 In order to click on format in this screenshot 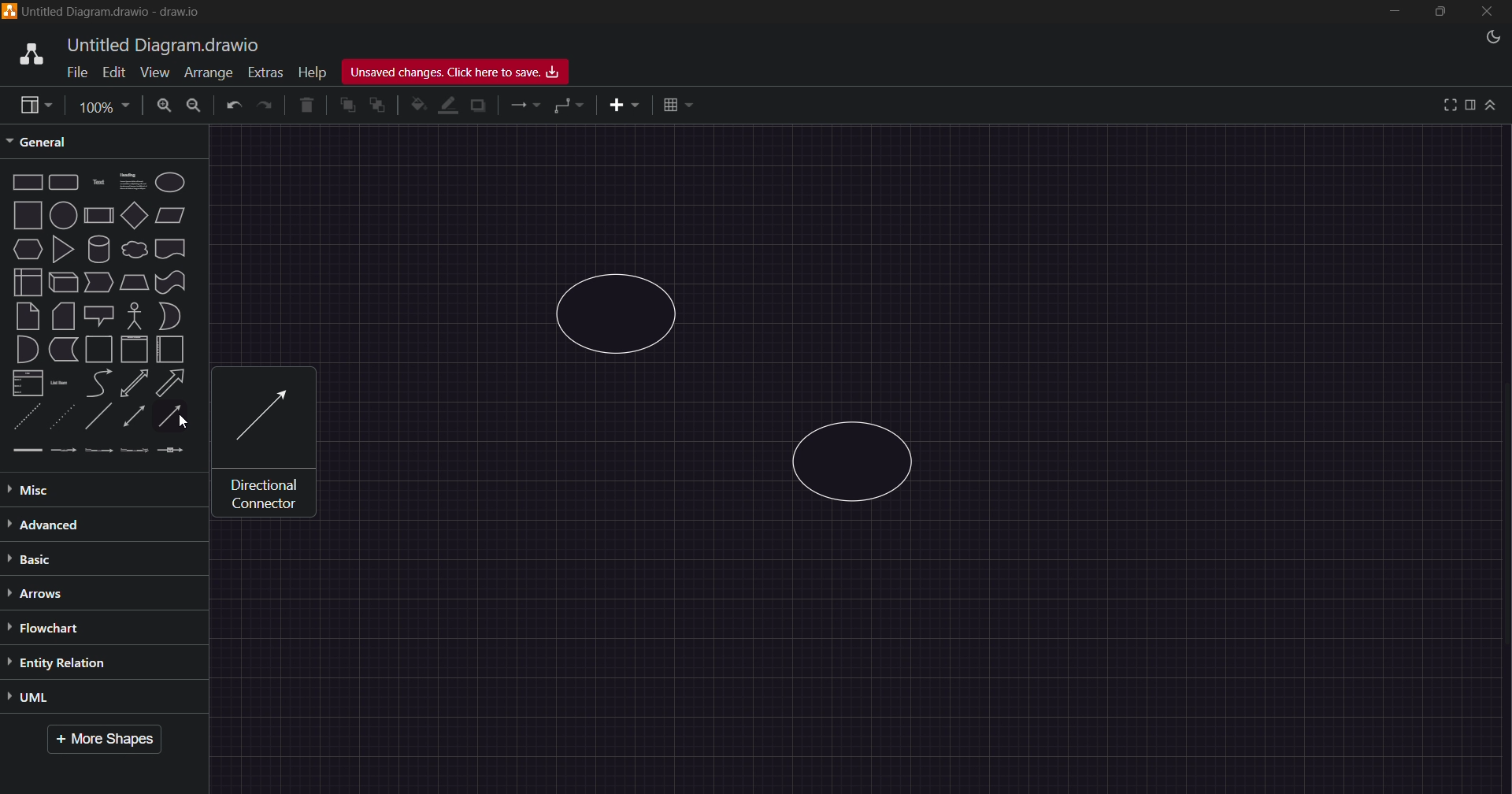, I will do `click(1470, 105)`.